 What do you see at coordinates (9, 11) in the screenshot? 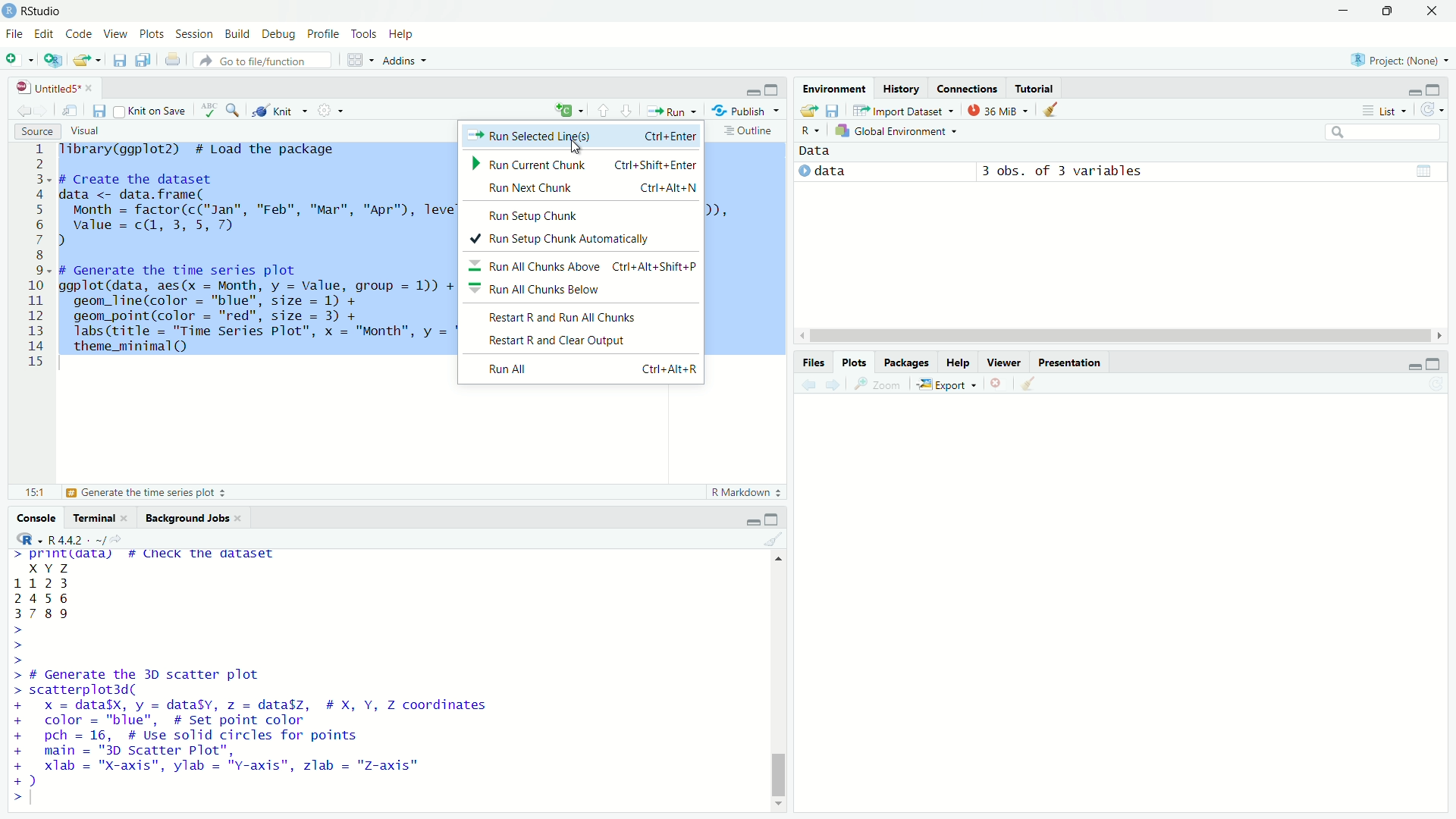
I see `logo` at bounding box center [9, 11].